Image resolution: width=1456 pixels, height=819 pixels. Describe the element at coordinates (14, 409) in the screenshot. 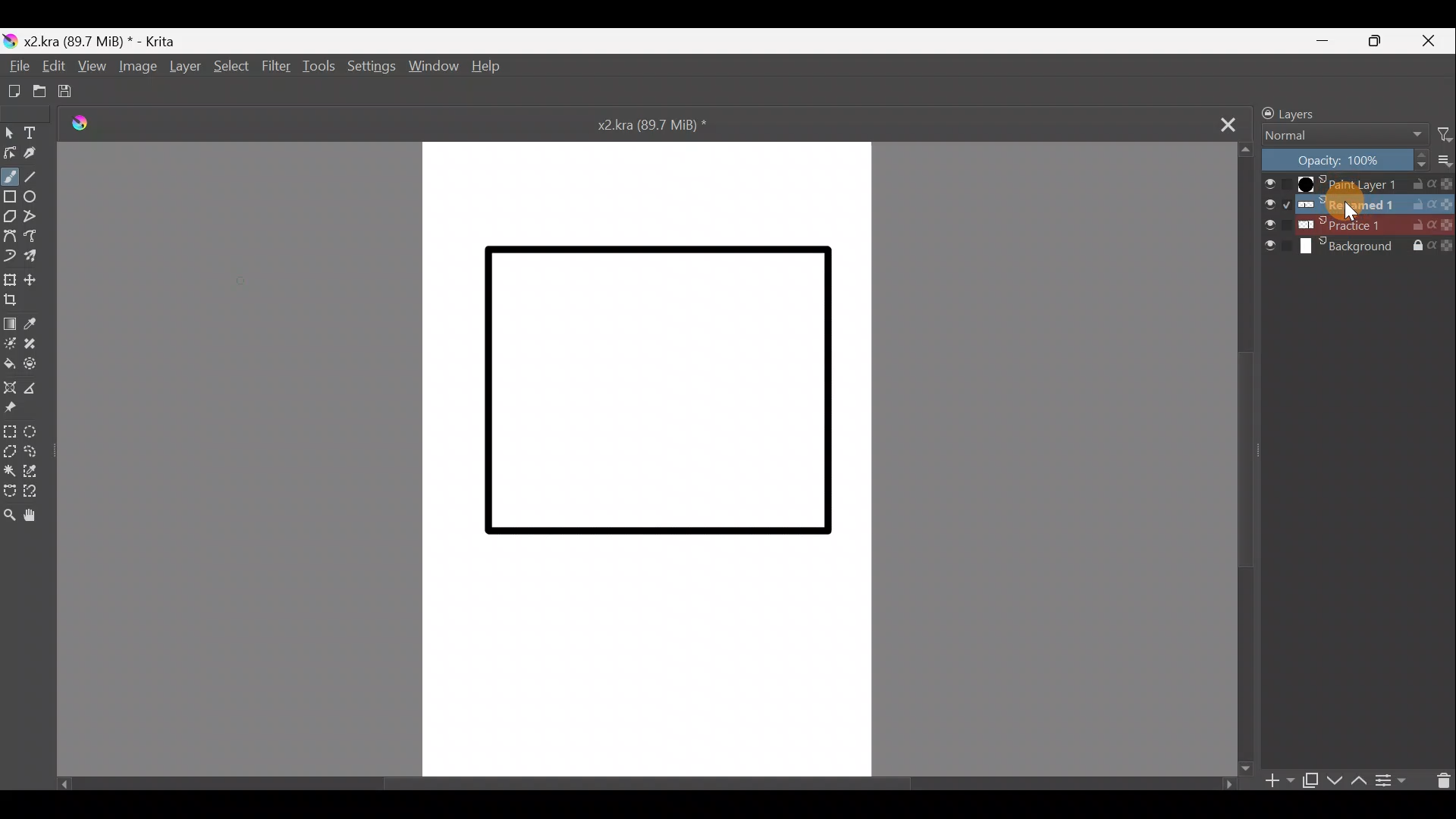

I see `Reference images tool` at that location.